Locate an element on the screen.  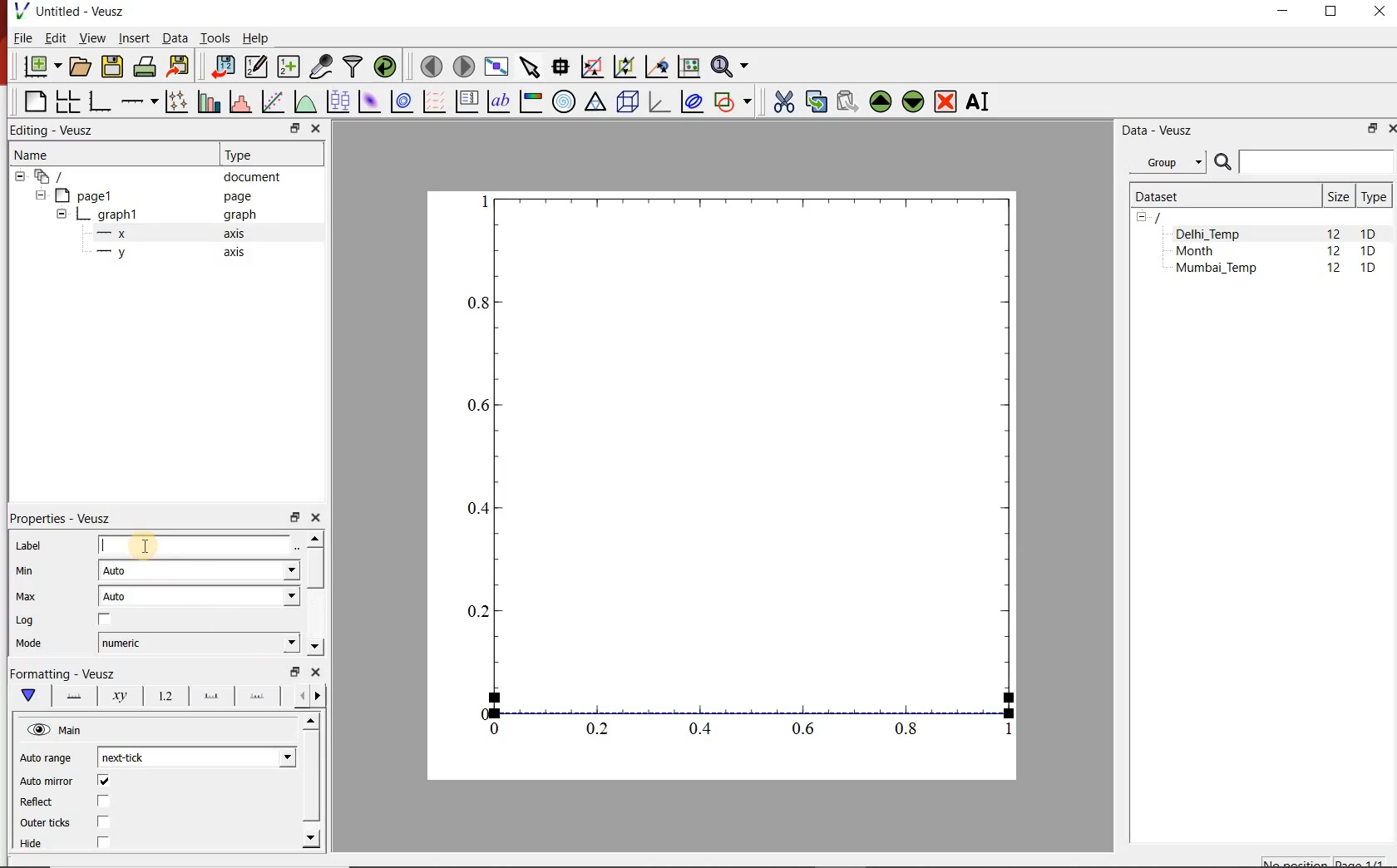
Main formatting is located at coordinates (26, 696).